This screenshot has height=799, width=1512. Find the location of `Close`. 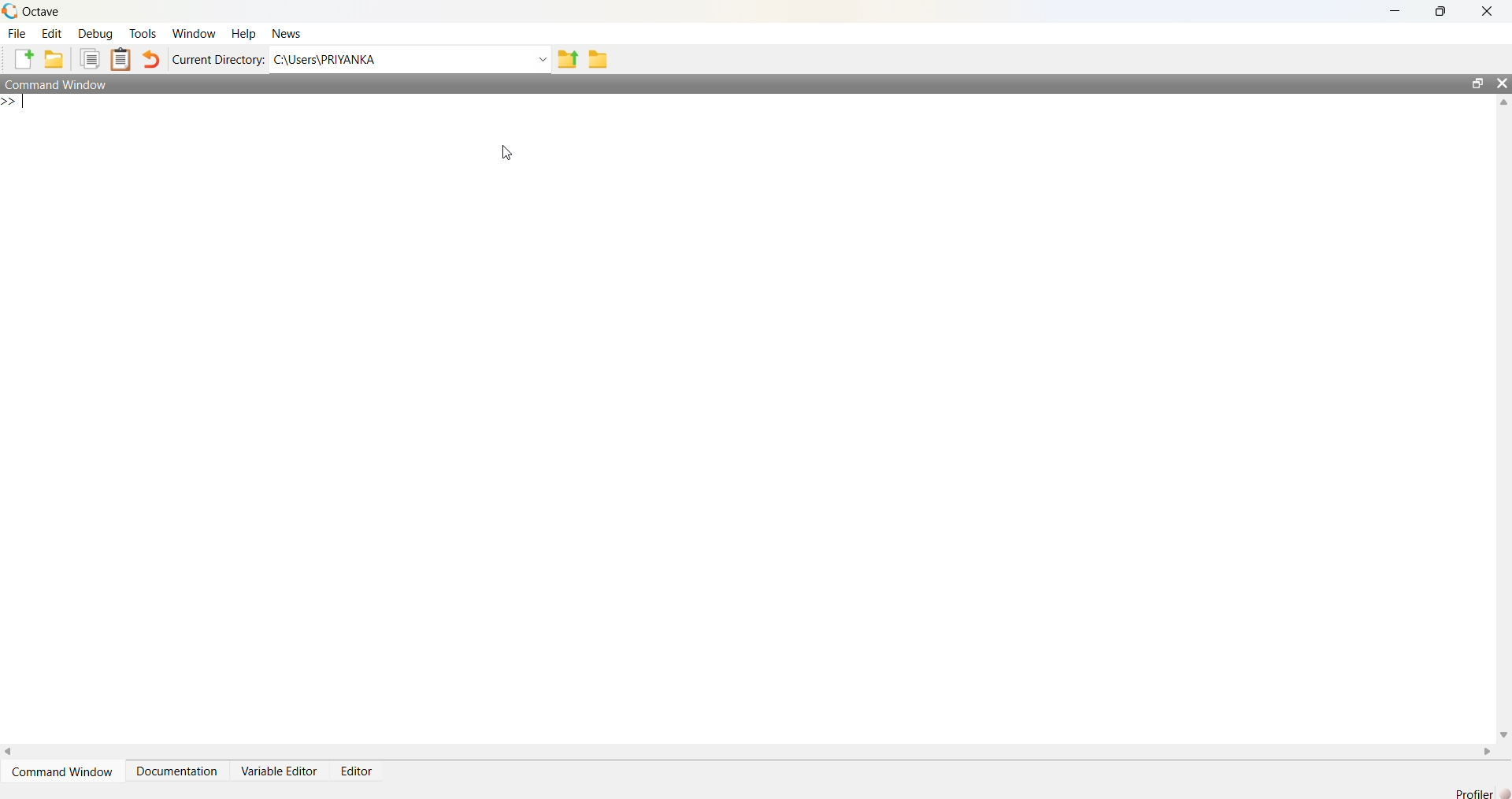

Close is located at coordinates (1502, 85).